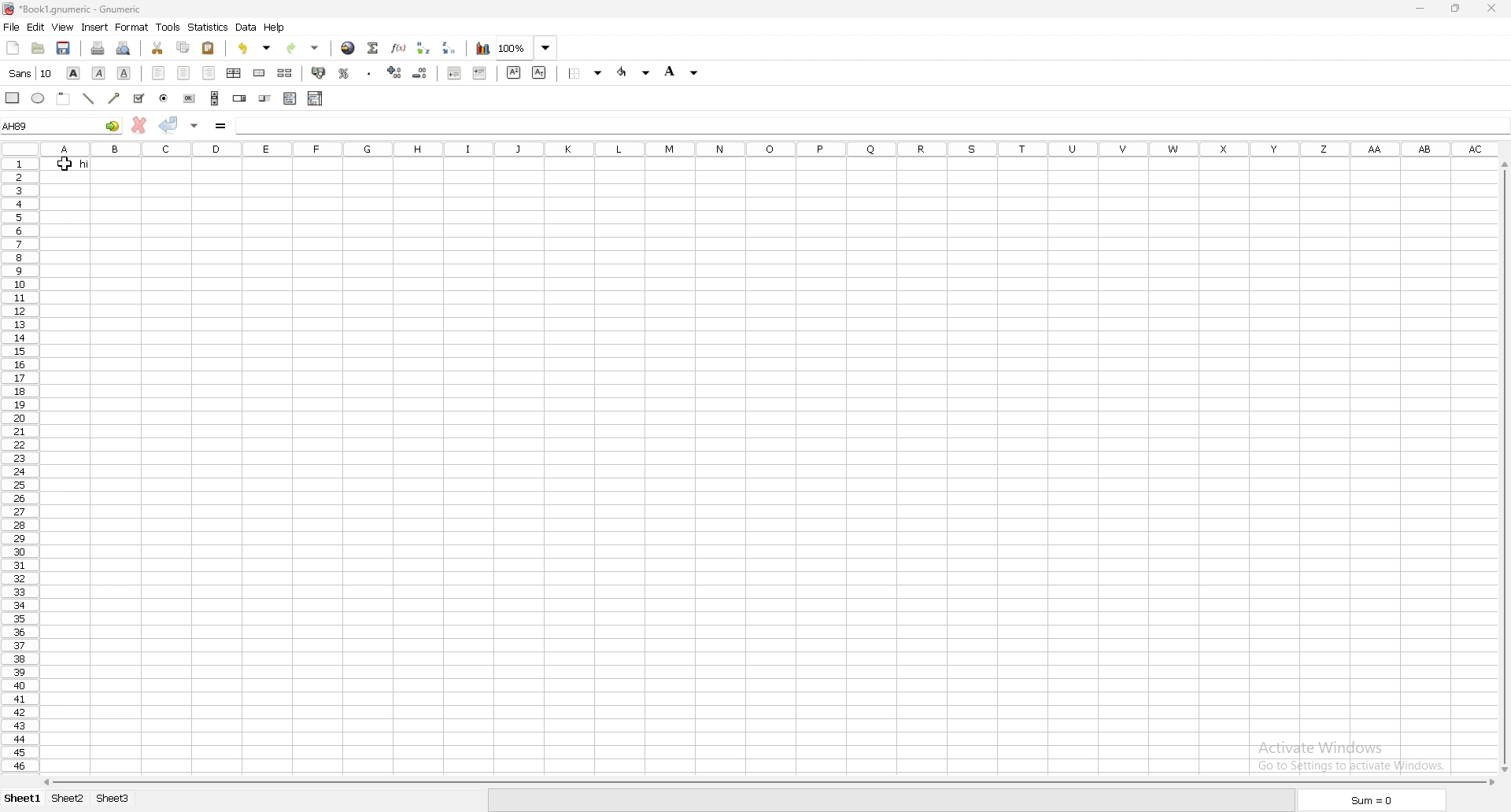 The image size is (1511, 812). I want to click on print preview, so click(122, 48).